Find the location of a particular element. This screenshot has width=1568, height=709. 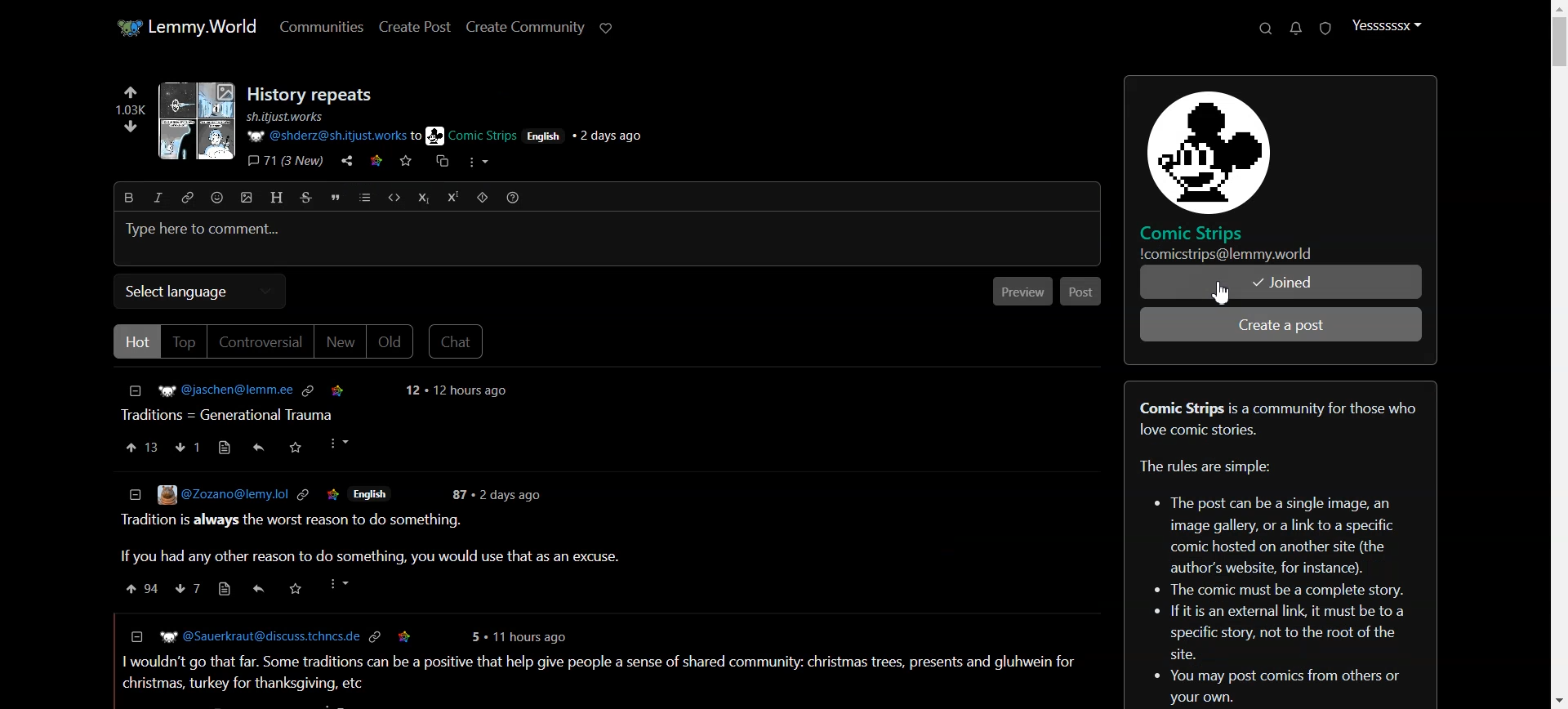

Save is located at coordinates (333, 493).